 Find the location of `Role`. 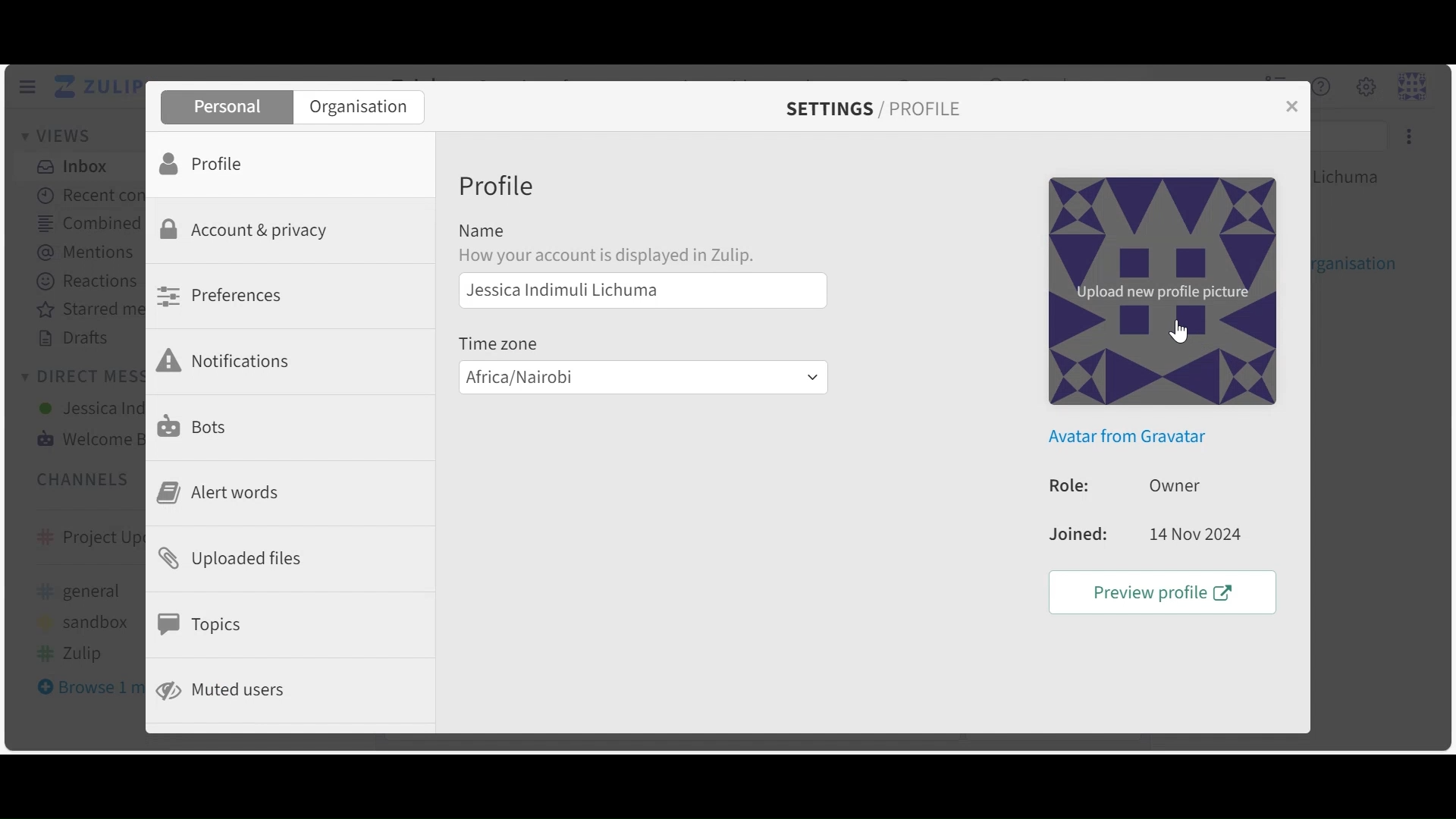

Role is located at coordinates (1128, 485).